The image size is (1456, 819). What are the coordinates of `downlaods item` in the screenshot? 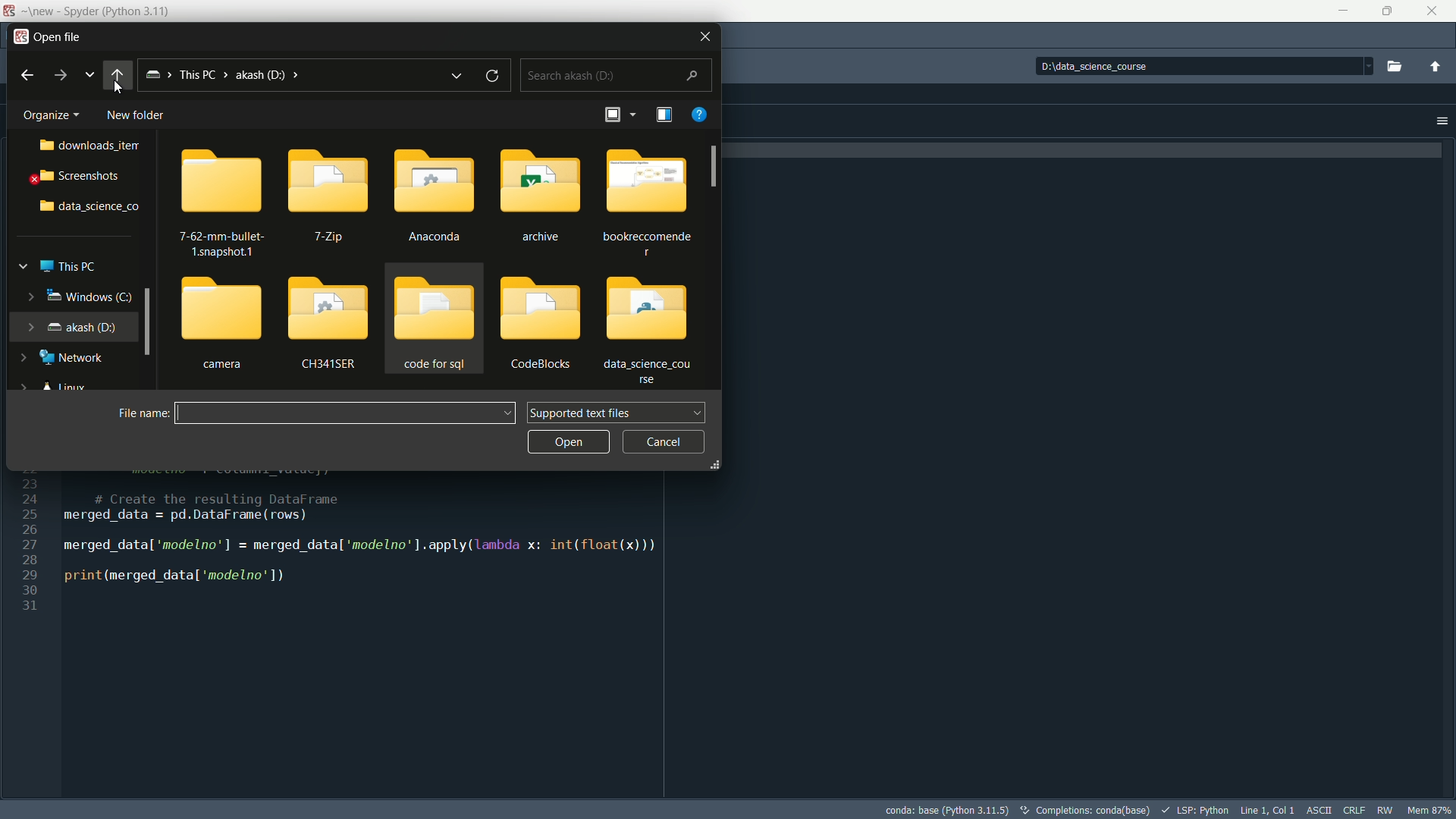 It's located at (87, 146).